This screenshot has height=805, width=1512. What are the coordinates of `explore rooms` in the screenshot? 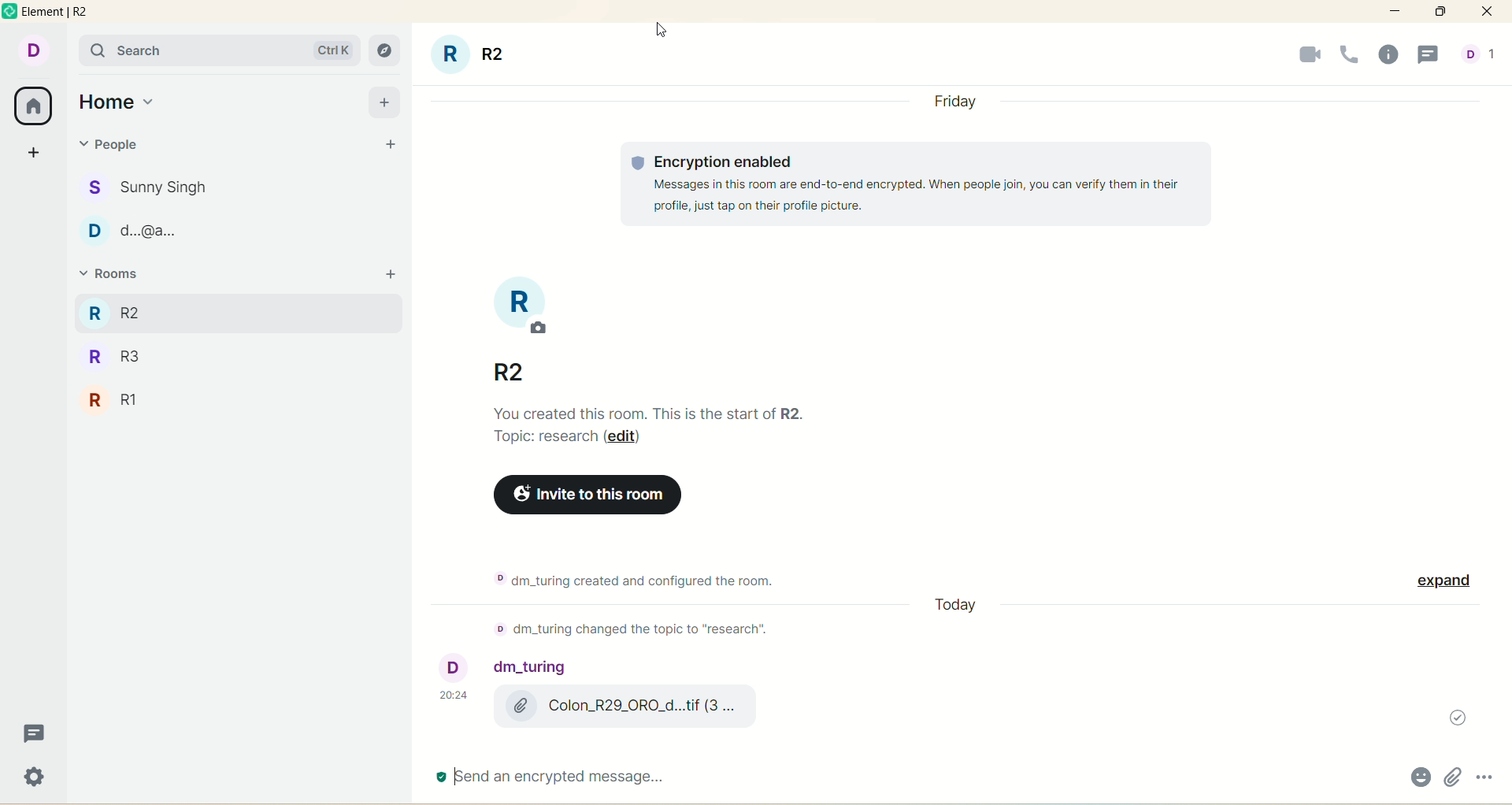 It's located at (386, 52).